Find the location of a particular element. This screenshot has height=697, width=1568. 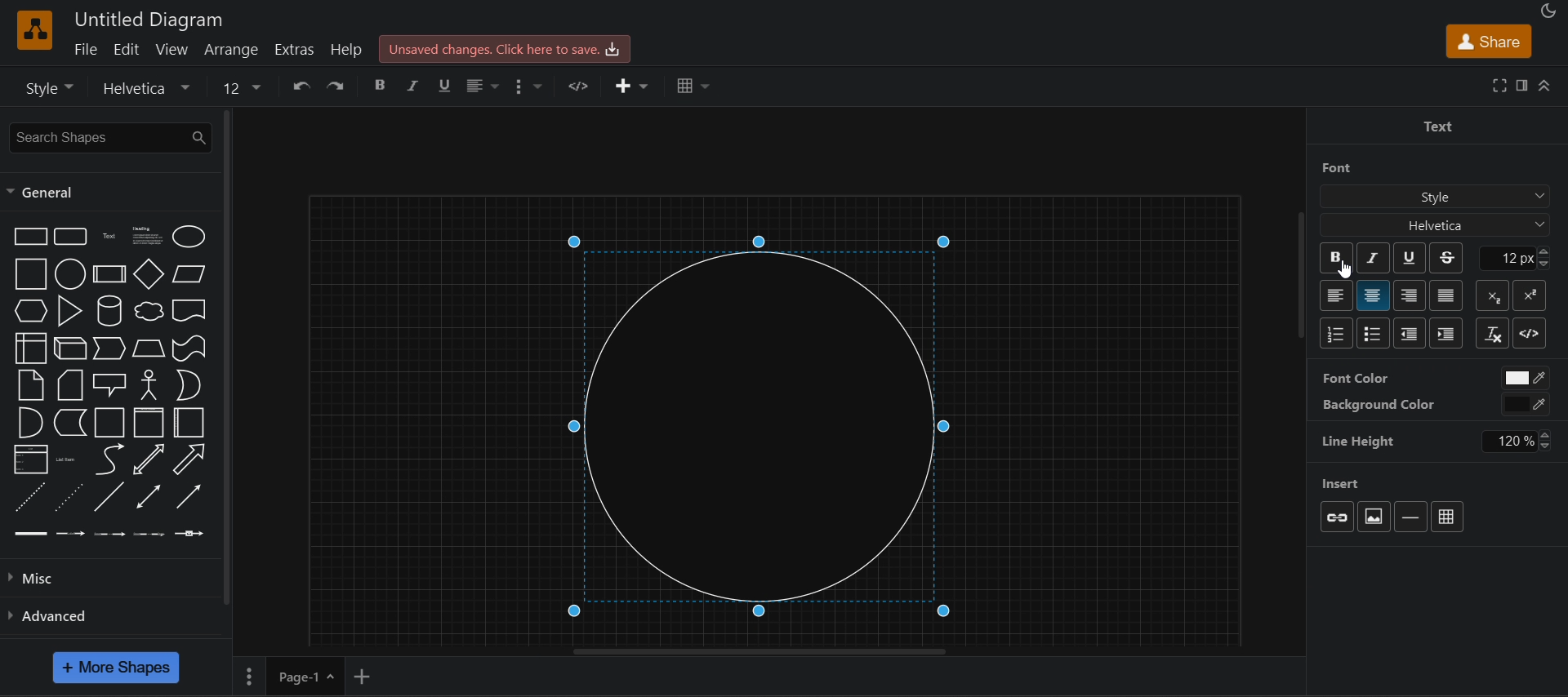

directional connector is located at coordinates (196, 496).